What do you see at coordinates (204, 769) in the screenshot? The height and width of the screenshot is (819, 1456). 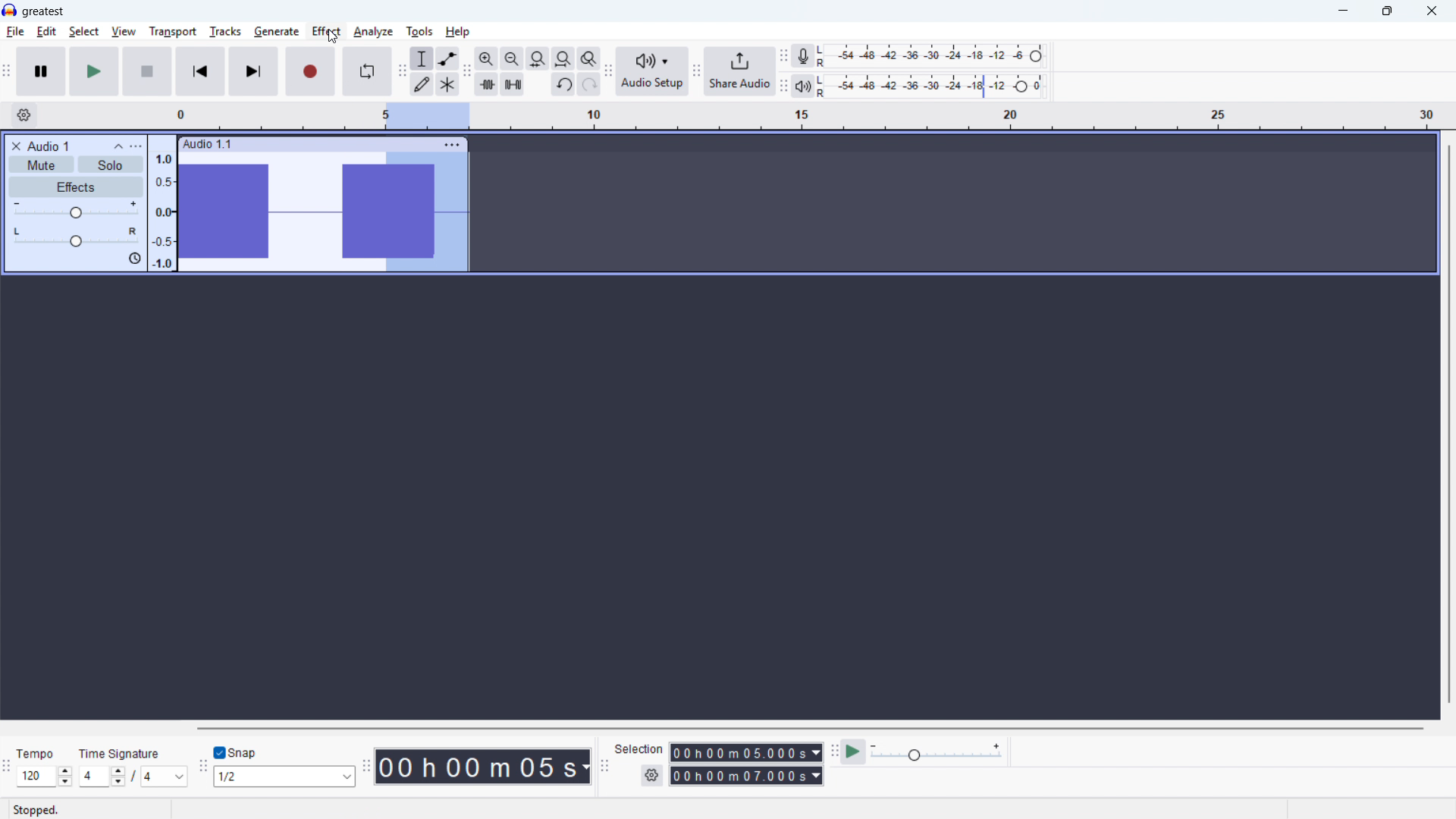 I see `Snapping toolbar ` at bounding box center [204, 769].